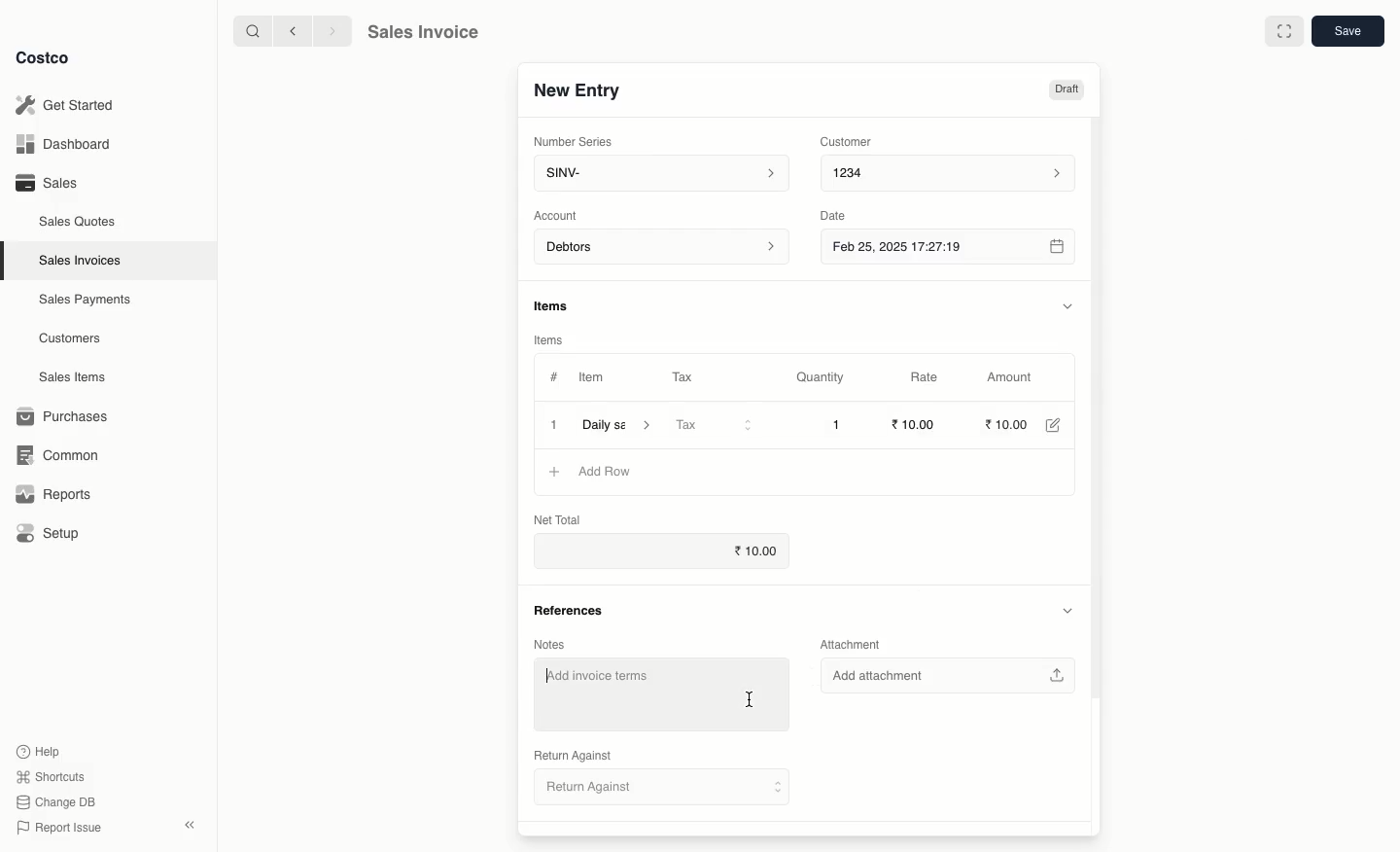 Image resolution: width=1400 pixels, height=852 pixels. What do you see at coordinates (594, 377) in the screenshot?
I see `Item` at bounding box center [594, 377].